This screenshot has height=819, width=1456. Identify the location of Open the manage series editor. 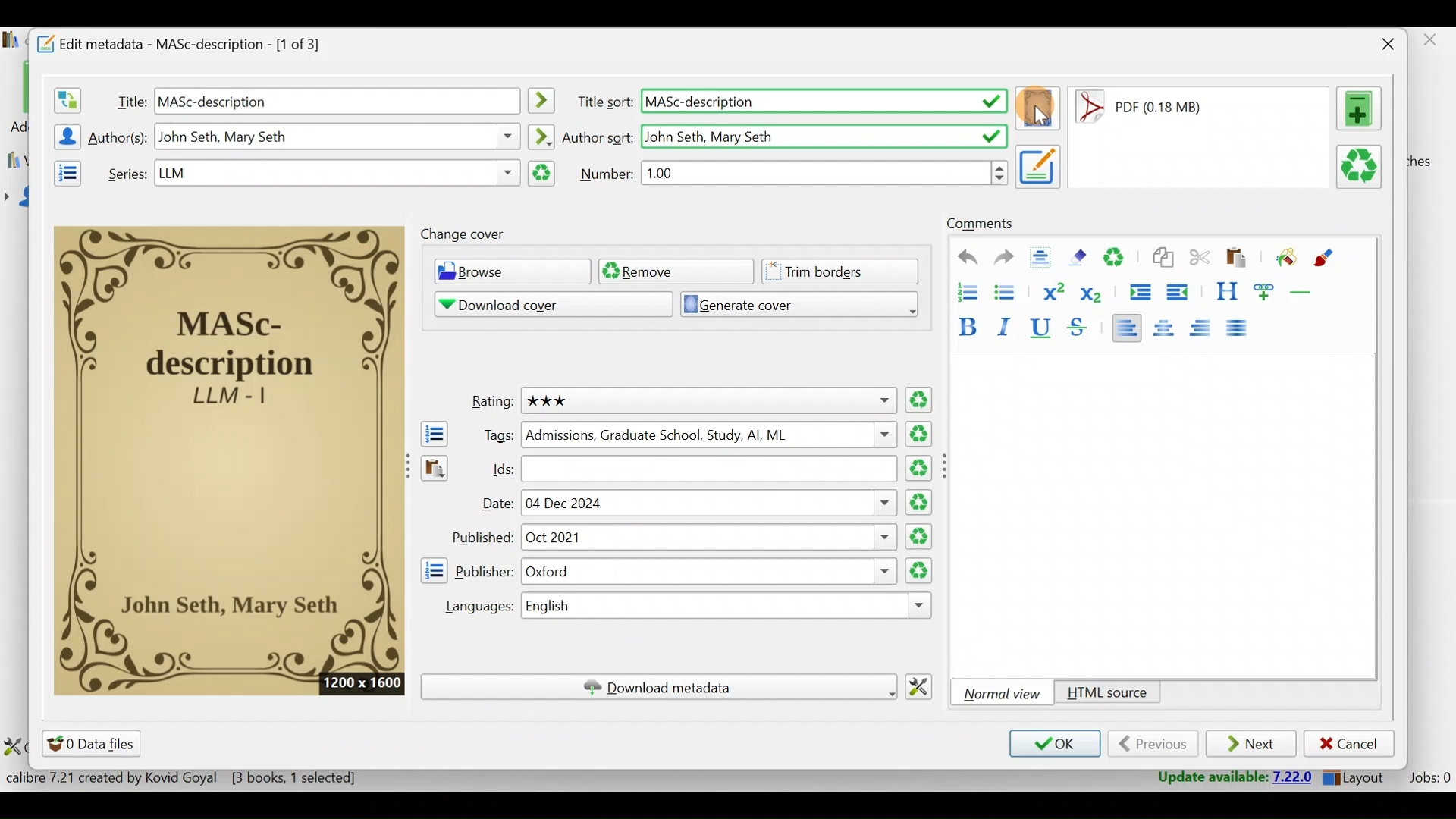
(63, 171).